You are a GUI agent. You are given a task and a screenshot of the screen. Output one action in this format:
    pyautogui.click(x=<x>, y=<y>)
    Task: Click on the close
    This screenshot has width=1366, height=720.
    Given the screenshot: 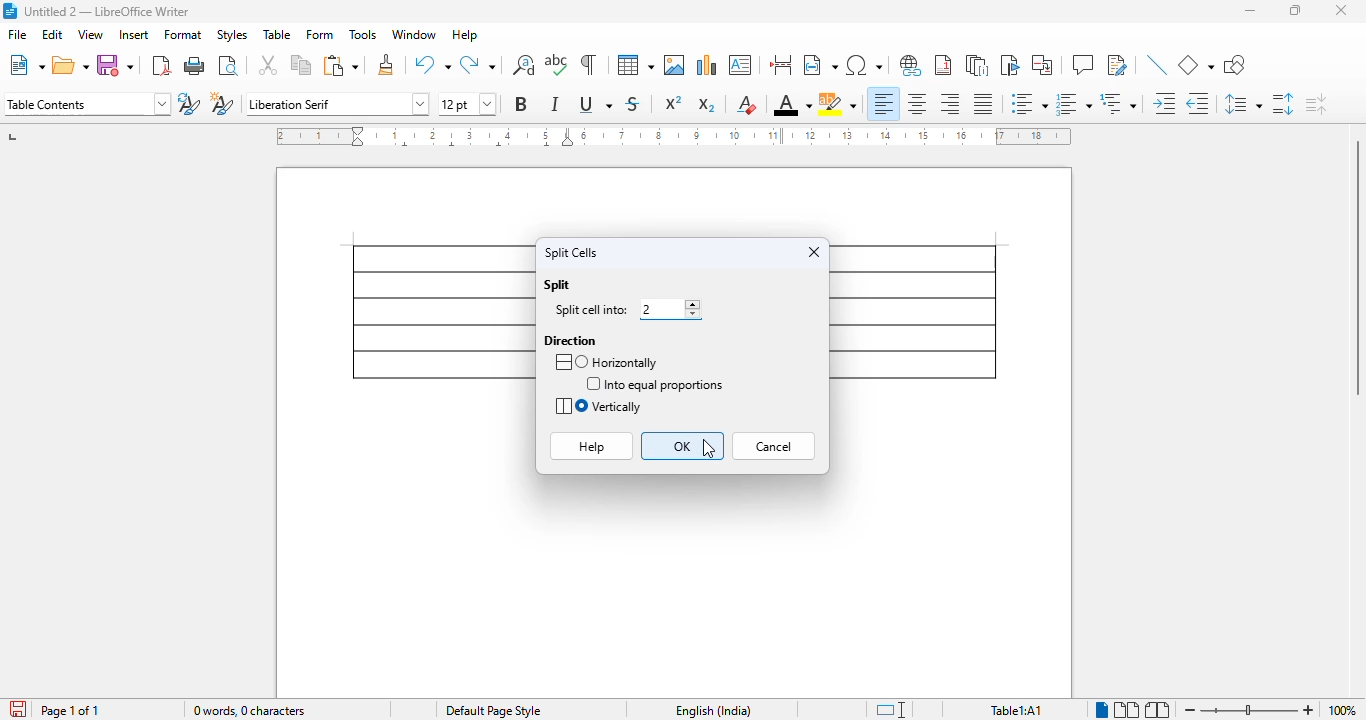 What is the action you would take?
    pyautogui.click(x=1342, y=11)
    